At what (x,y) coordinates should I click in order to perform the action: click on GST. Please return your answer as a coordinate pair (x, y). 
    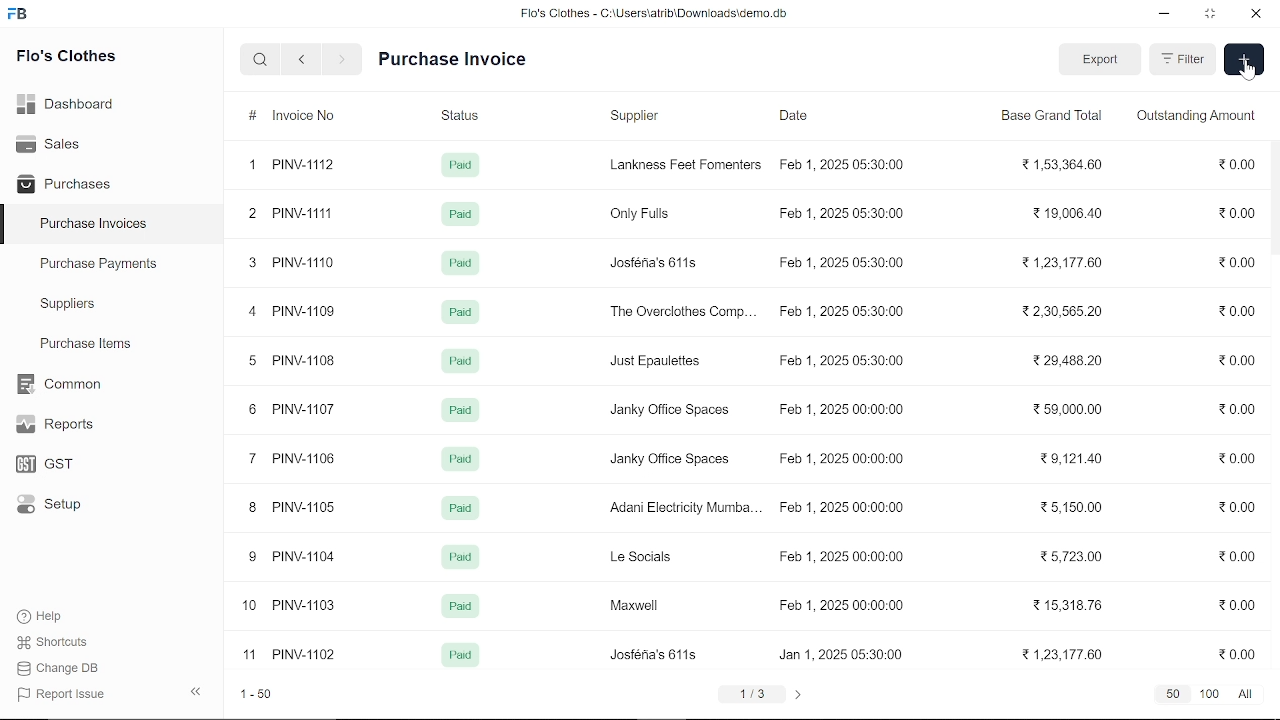
    Looking at the image, I should click on (38, 465).